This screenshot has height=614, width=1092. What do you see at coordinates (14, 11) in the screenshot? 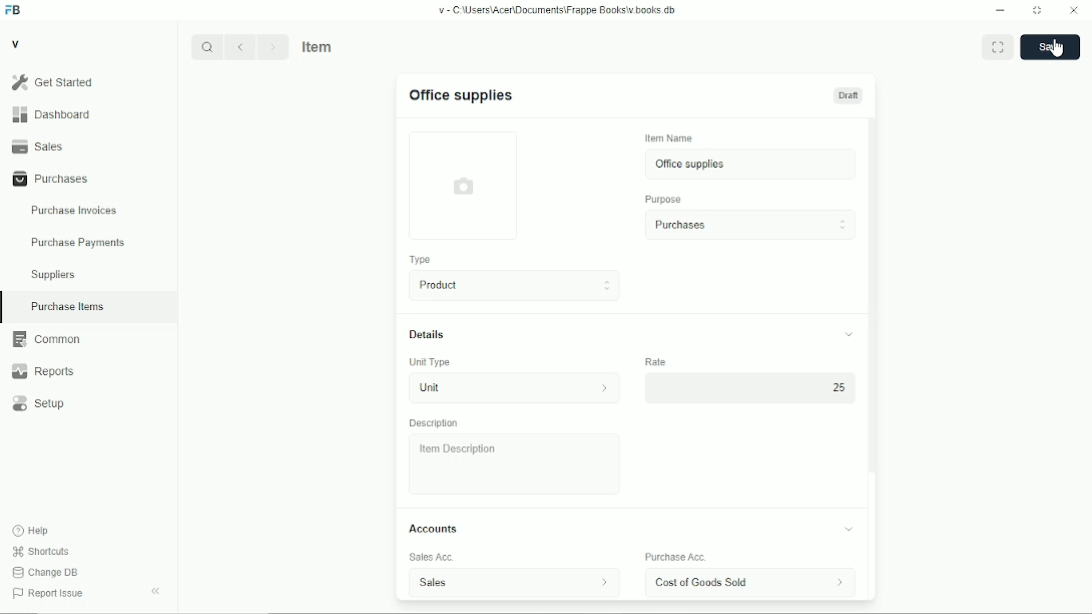
I see `FB` at bounding box center [14, 11].